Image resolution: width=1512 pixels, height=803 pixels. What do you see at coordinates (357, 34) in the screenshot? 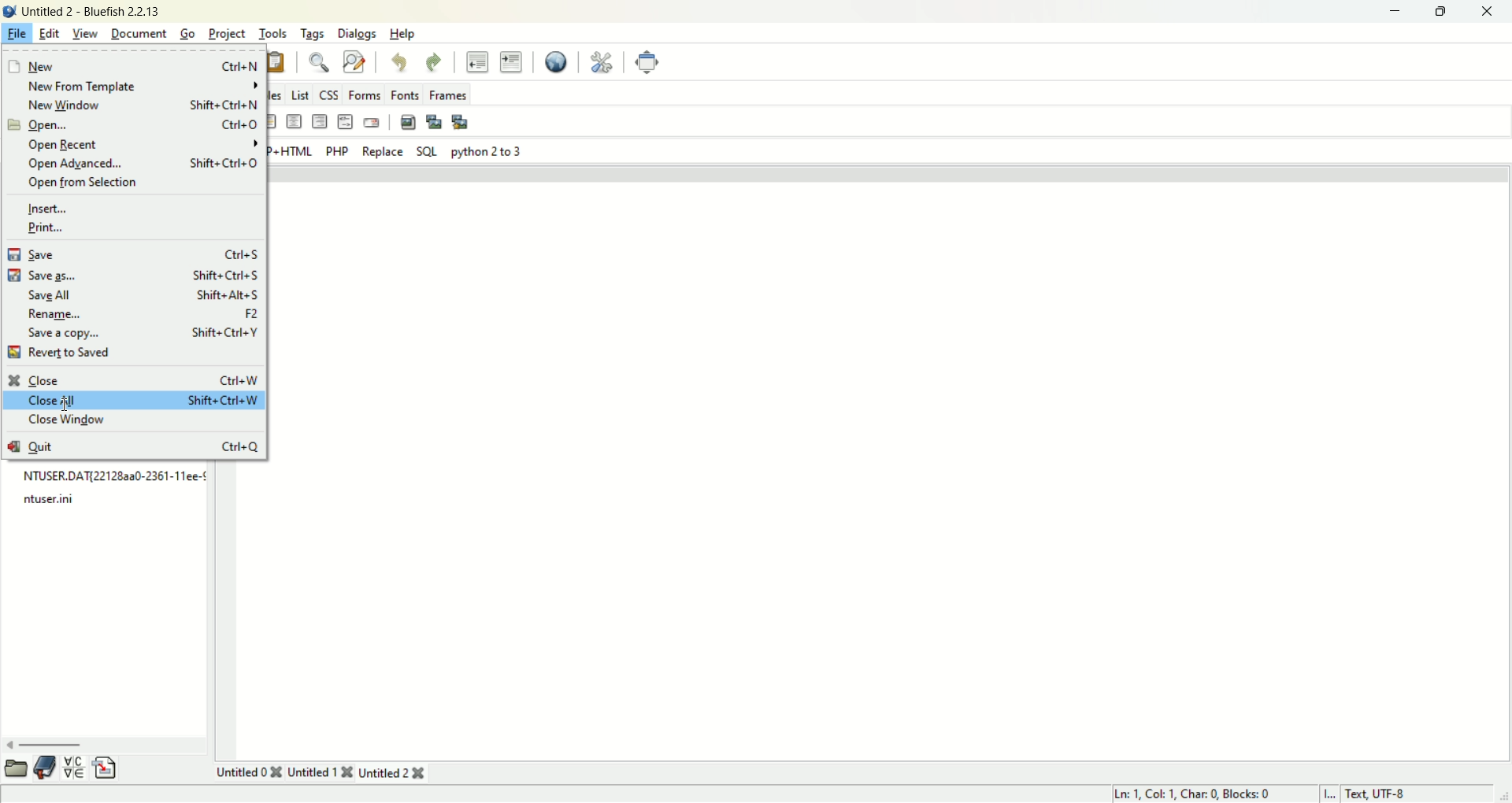
I see `dialogs` at bounding box center [357, 34].